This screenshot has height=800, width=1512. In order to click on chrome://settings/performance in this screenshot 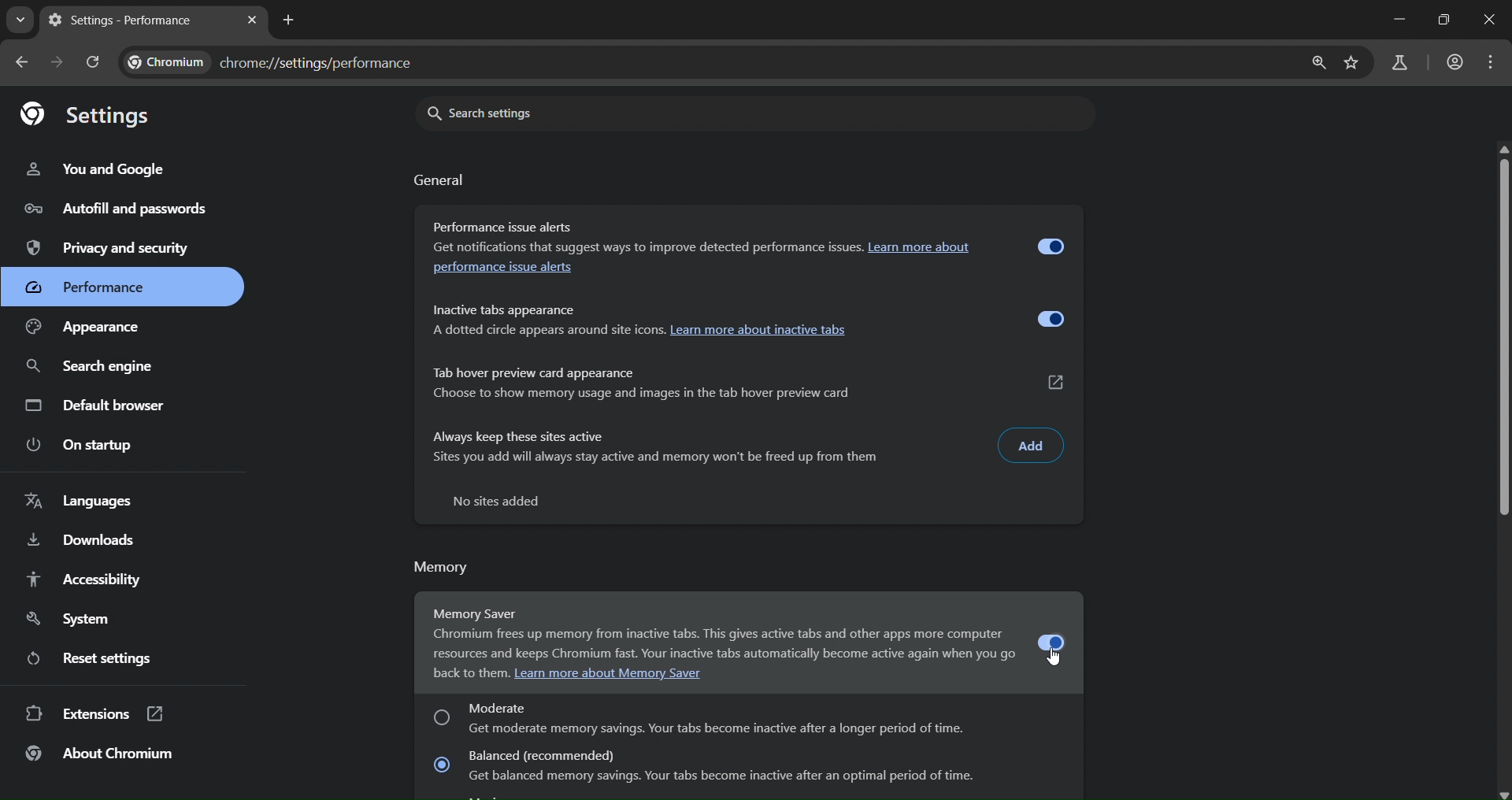, I will do `click(272, 64)`.